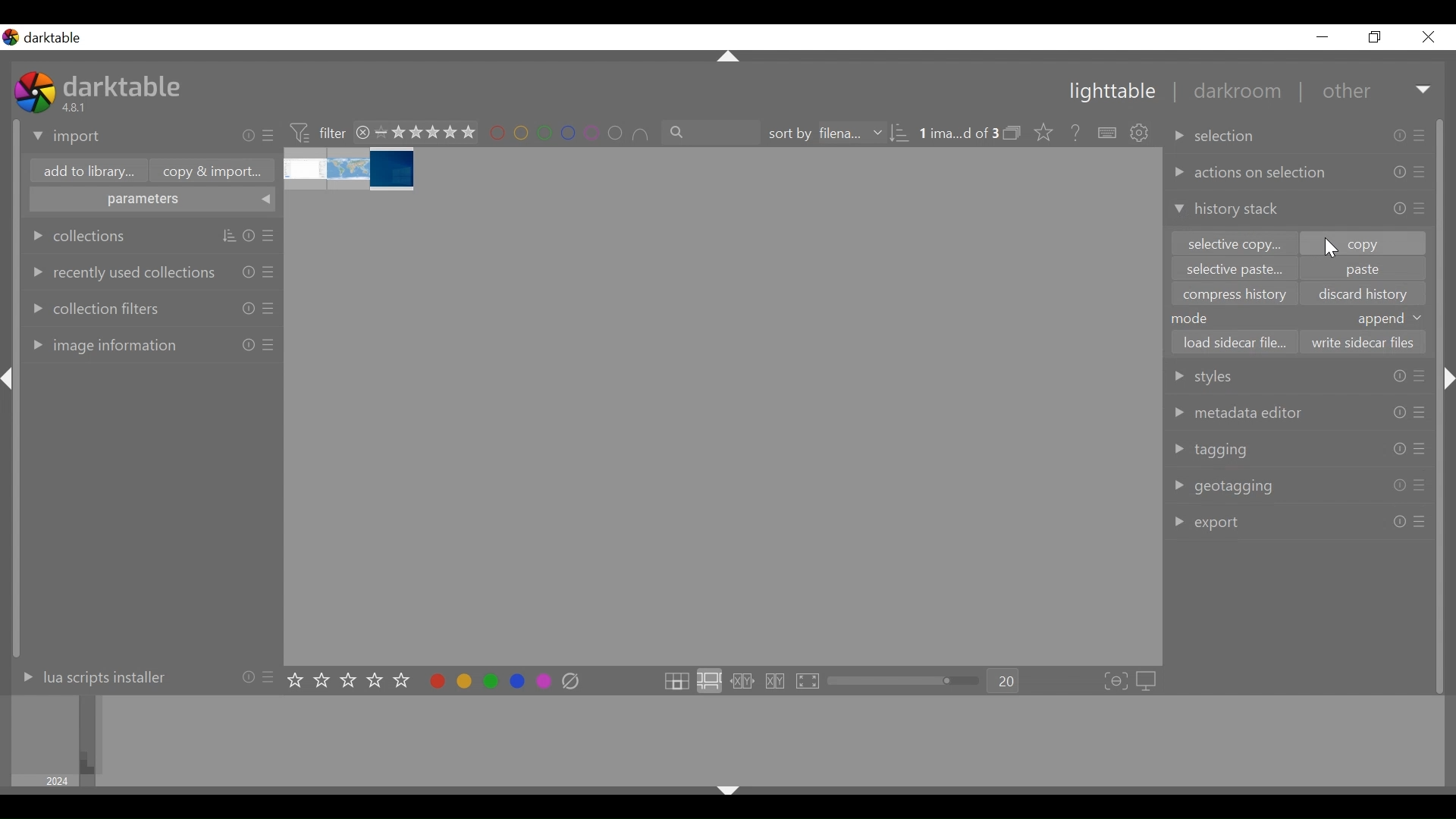 This screenshot has width=1456, height=819. Describe the element at coordinates (1194, 318) in the screenshot. I see `mode` at that location.